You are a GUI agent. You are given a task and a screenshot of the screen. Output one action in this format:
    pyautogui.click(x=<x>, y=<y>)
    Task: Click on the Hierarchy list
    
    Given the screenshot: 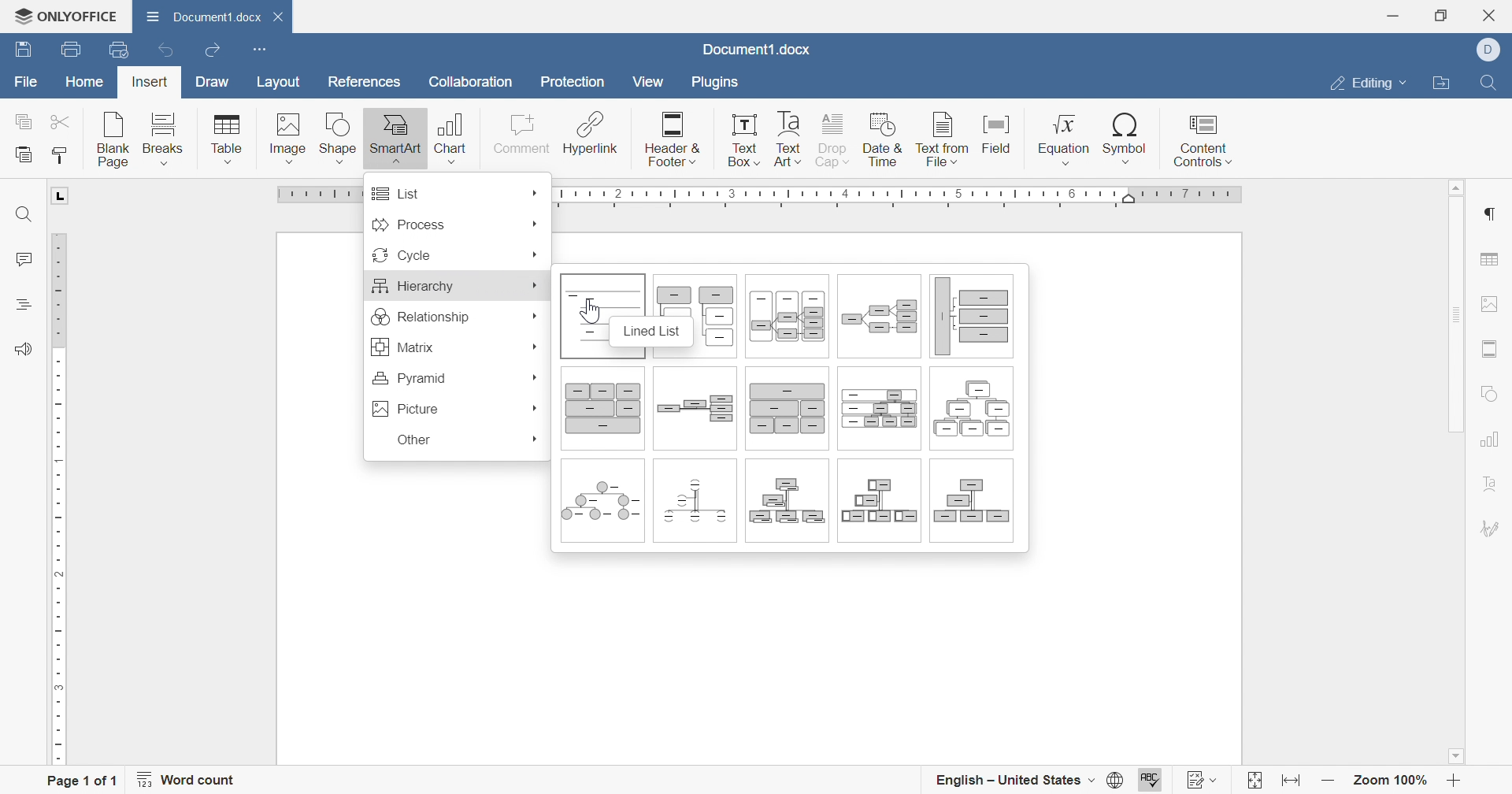 What is the action you would take?
    pyautogui.click(x=711, y=319)
    